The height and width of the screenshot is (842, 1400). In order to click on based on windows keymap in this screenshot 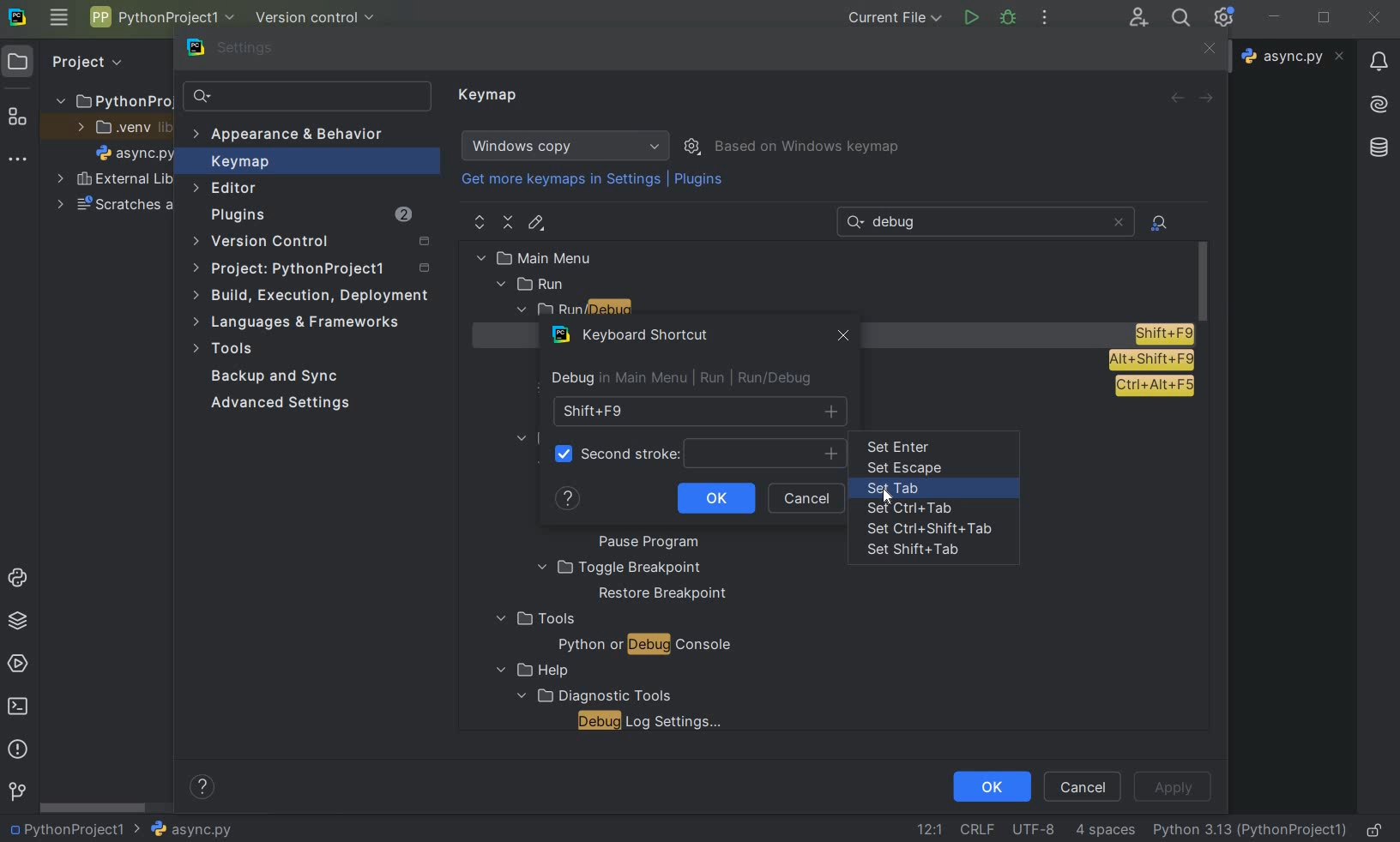, I will do `click(808, 147)`.